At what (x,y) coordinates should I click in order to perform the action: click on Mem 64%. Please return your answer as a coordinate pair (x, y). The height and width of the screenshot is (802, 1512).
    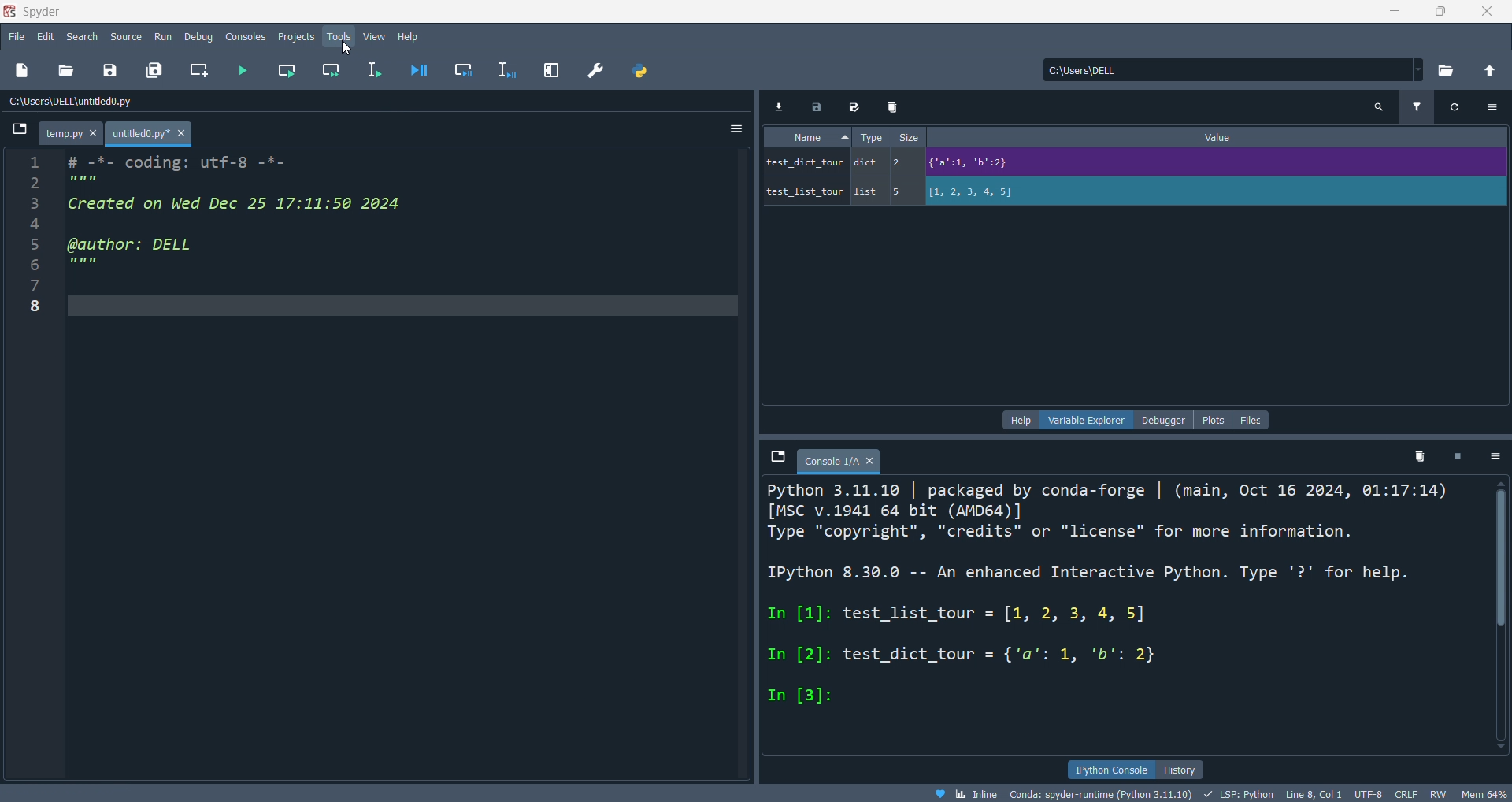
    Looking at the image, I should click on (1484, 793).